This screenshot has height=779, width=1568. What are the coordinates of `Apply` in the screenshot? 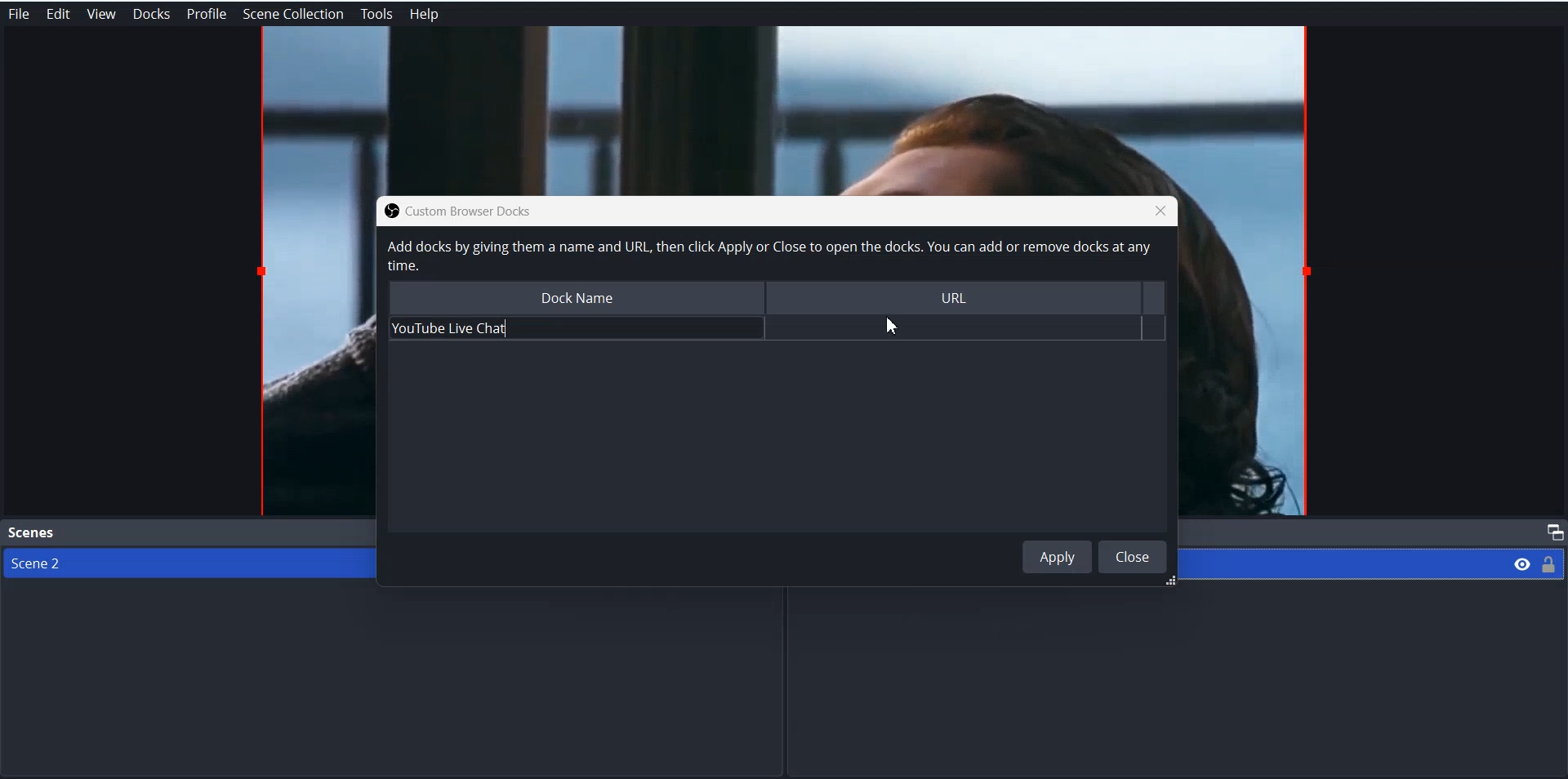 It's located at (1058, 556).